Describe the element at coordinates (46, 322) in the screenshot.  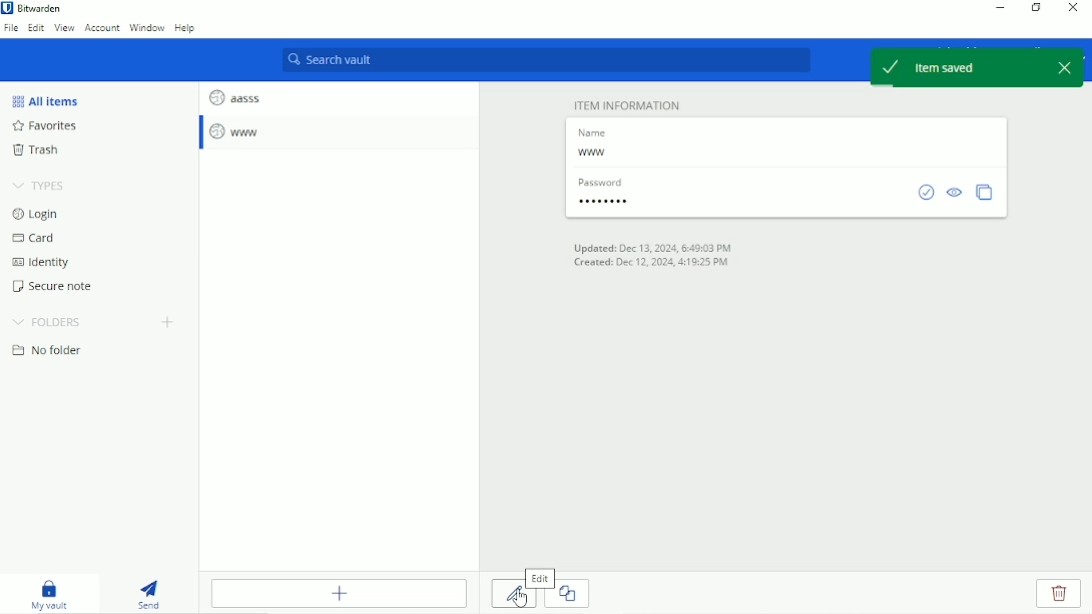
I see `Folders` at that location.